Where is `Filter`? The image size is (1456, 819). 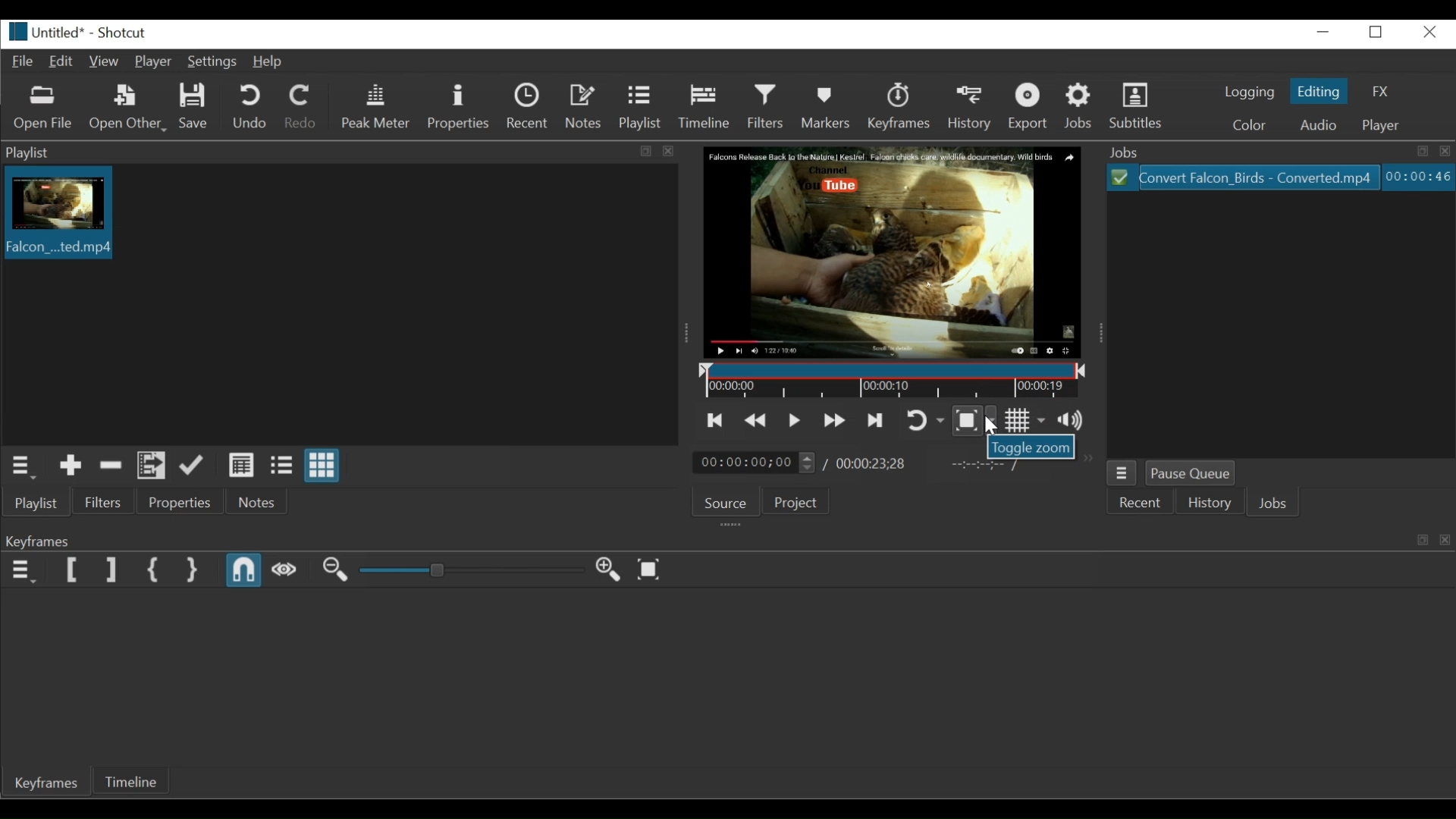
Filter is located at coordinates (103, 500).